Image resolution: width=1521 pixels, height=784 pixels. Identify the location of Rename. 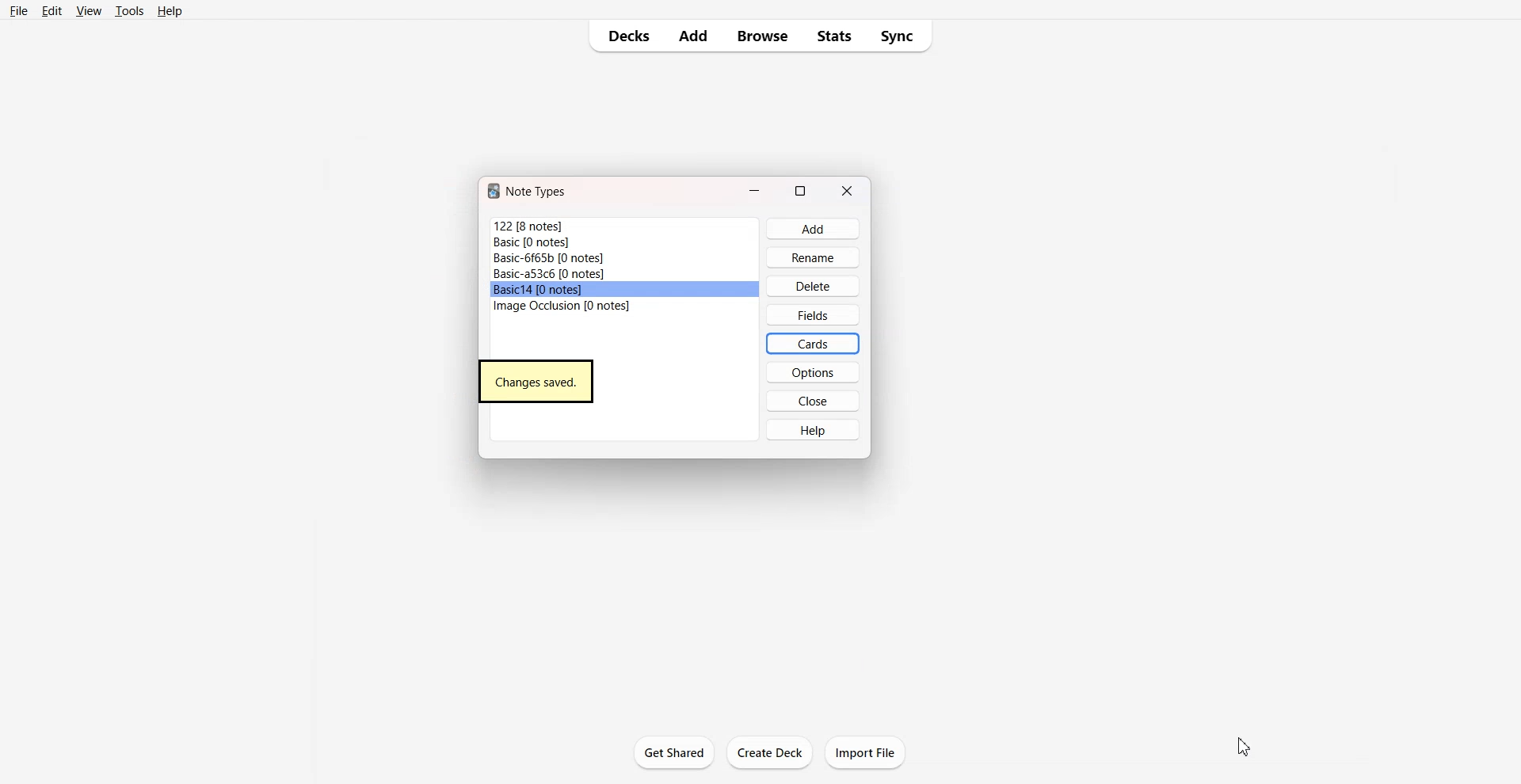
(814, 257).